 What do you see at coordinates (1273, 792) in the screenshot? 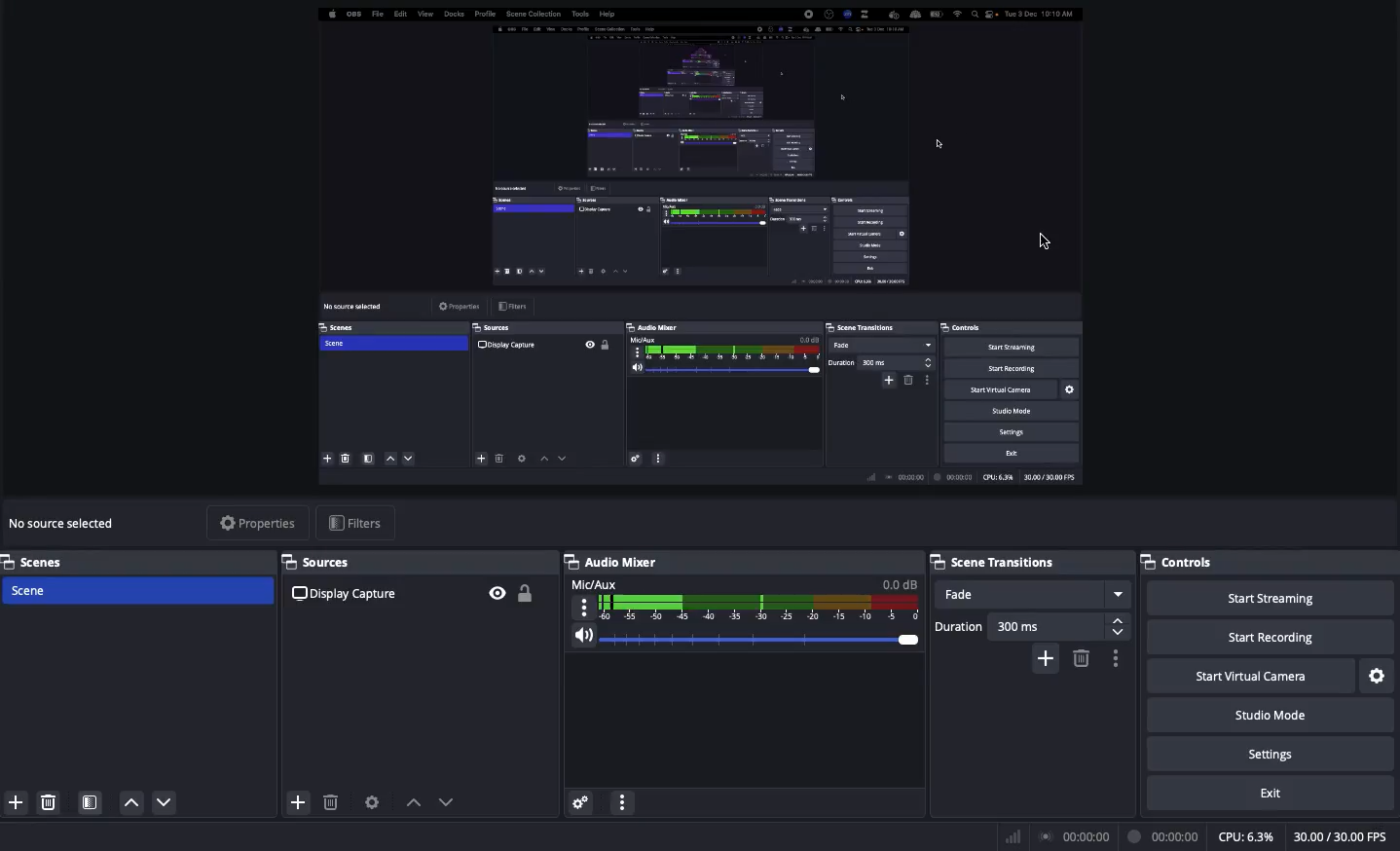
I see `Exit` at bounding box center [1273, 792].